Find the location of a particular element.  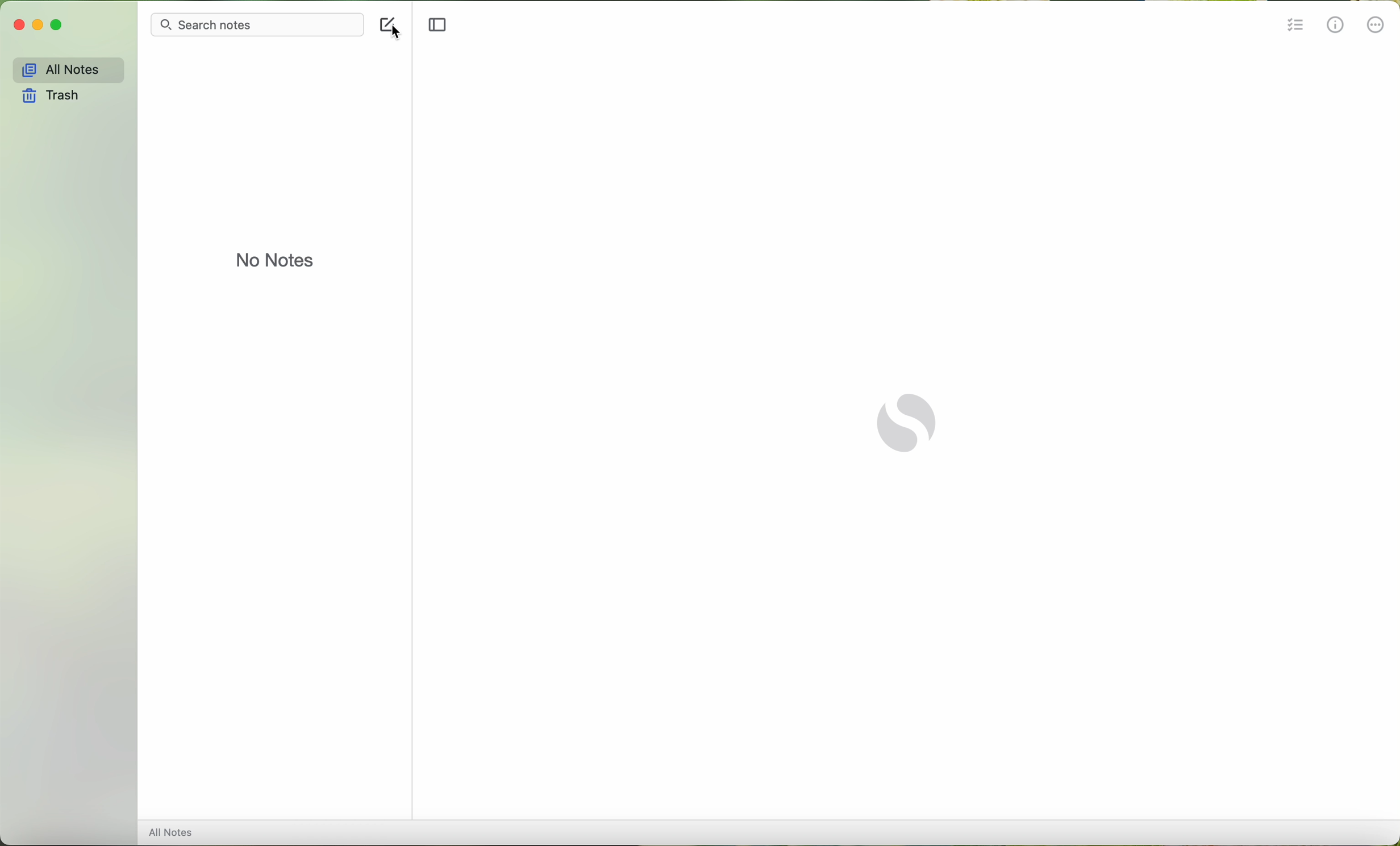

maximize Simplenote is located at coordinates (57, 25).